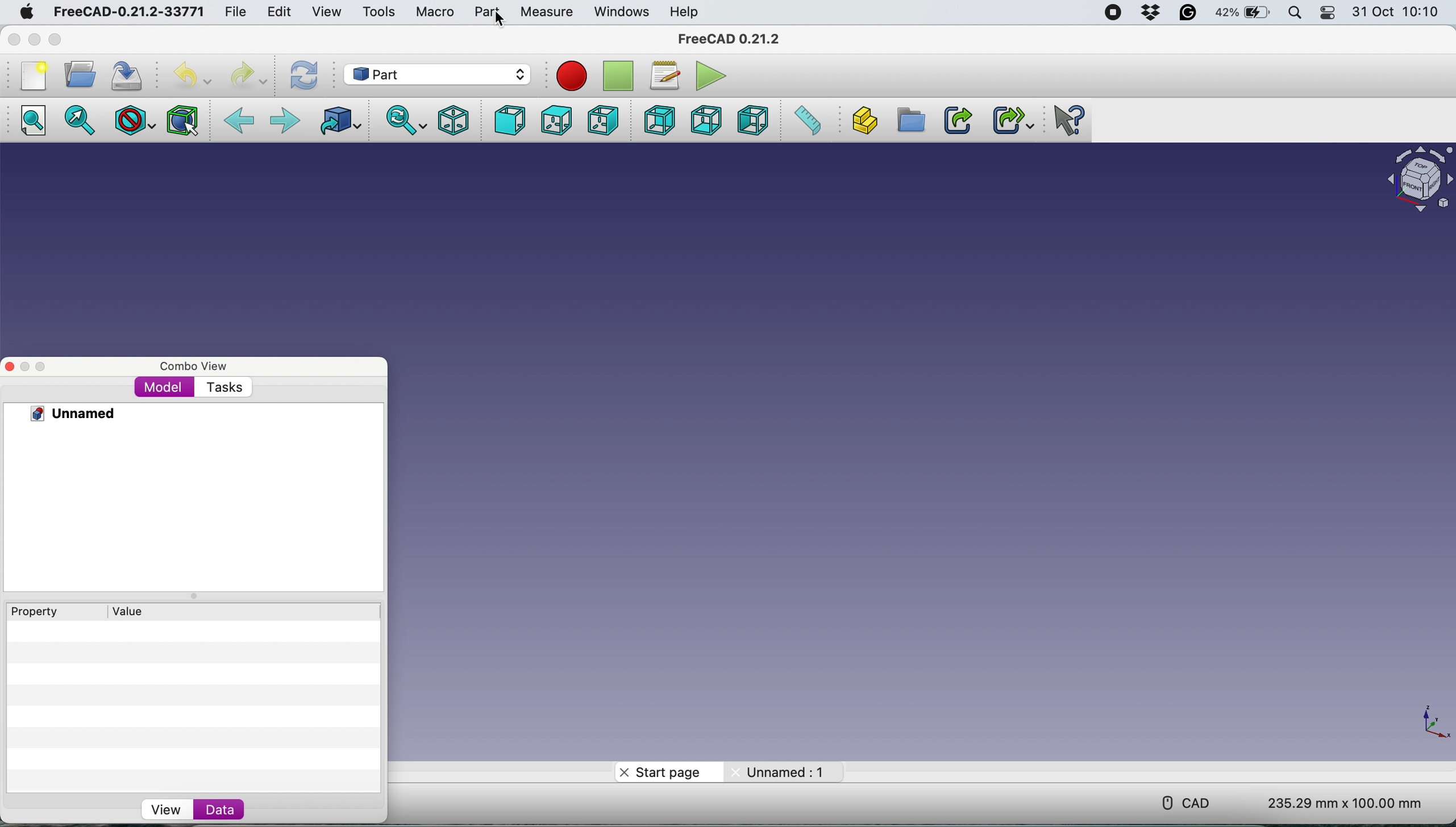 Image resolution: width=1456 pixels, height=827 pixels. What do you see at coordinates (956, 119) in the screenshot?
I see `Make link` at bounding box center [956, 119].